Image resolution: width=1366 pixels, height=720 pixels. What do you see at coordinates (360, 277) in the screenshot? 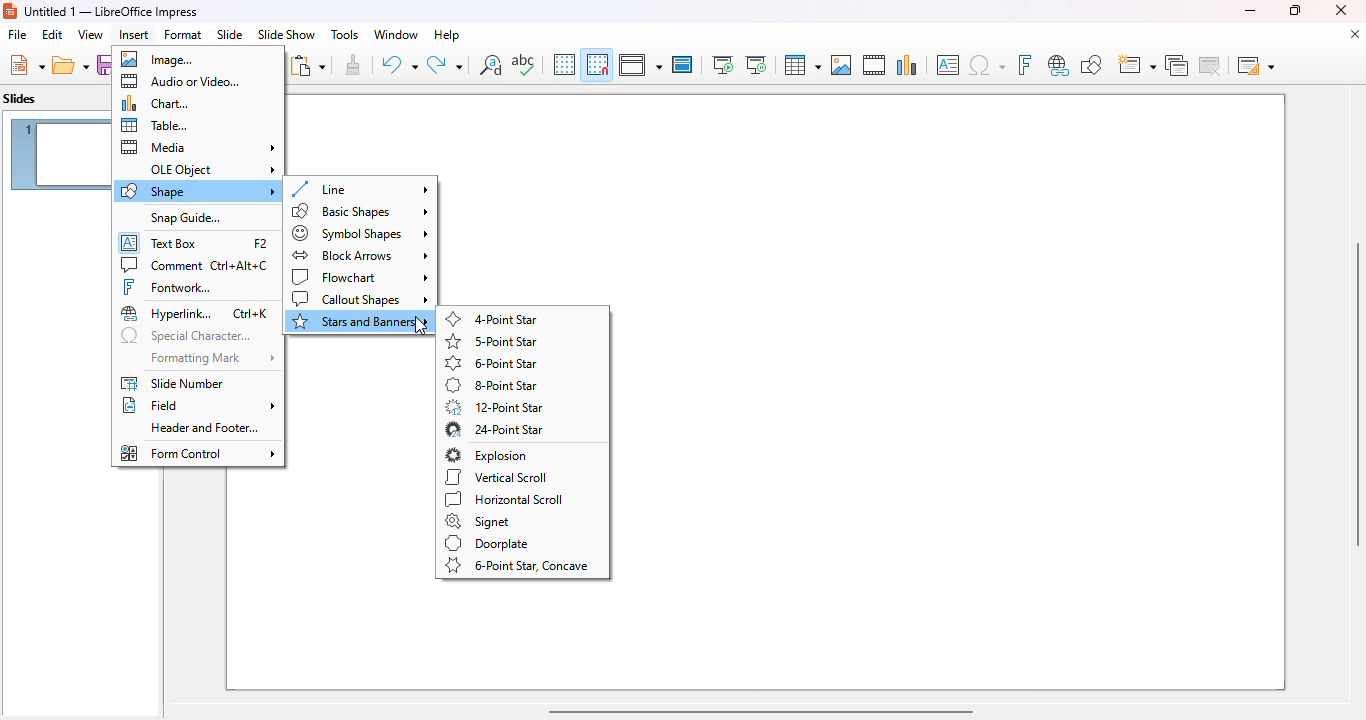
I see `flowchart` at bounding box center [360, 277].